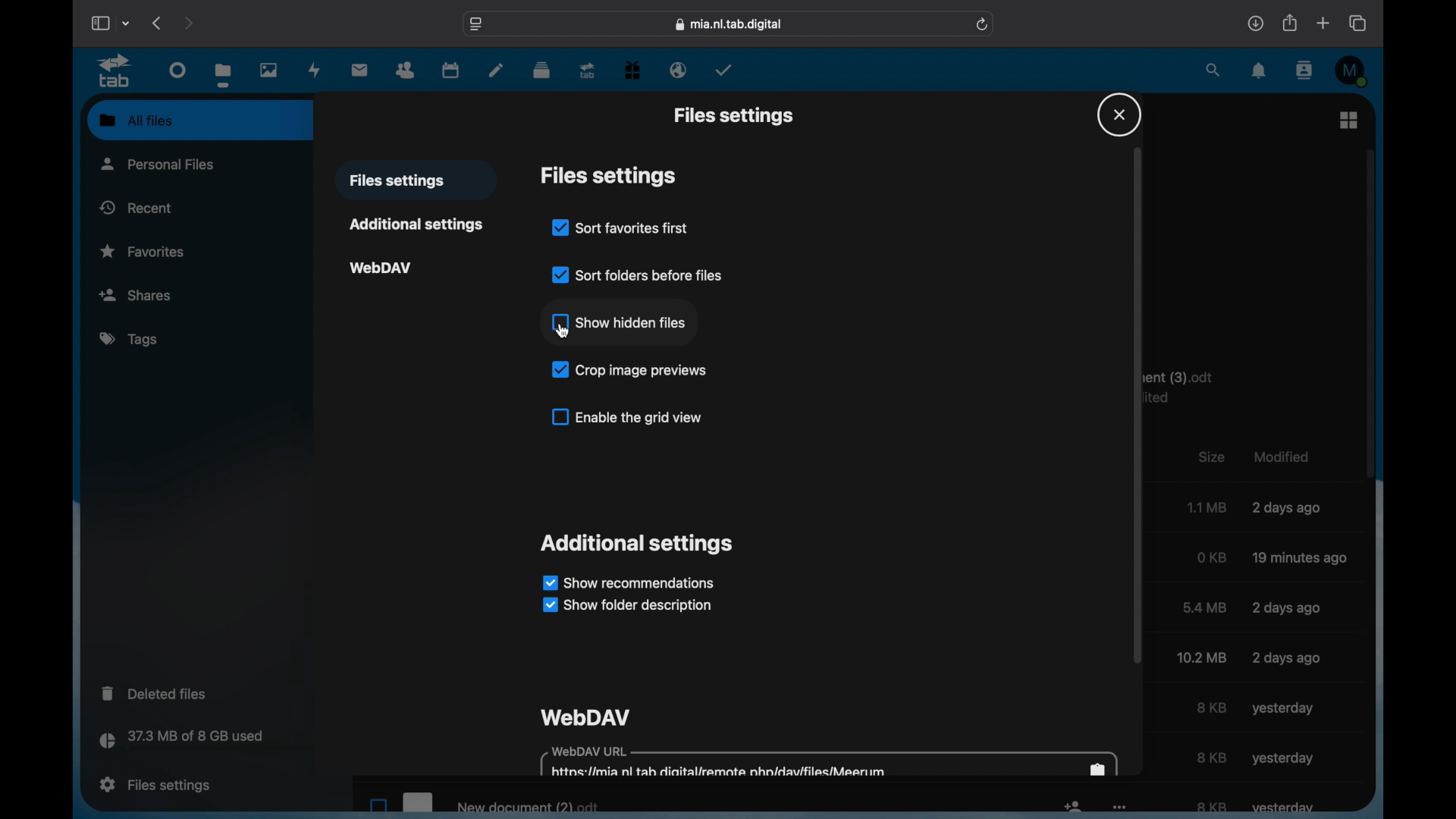  What do you see at coordinates (1282, 708) in the screenshot?
I see `yesterday` at bounding box center [1282, 708].